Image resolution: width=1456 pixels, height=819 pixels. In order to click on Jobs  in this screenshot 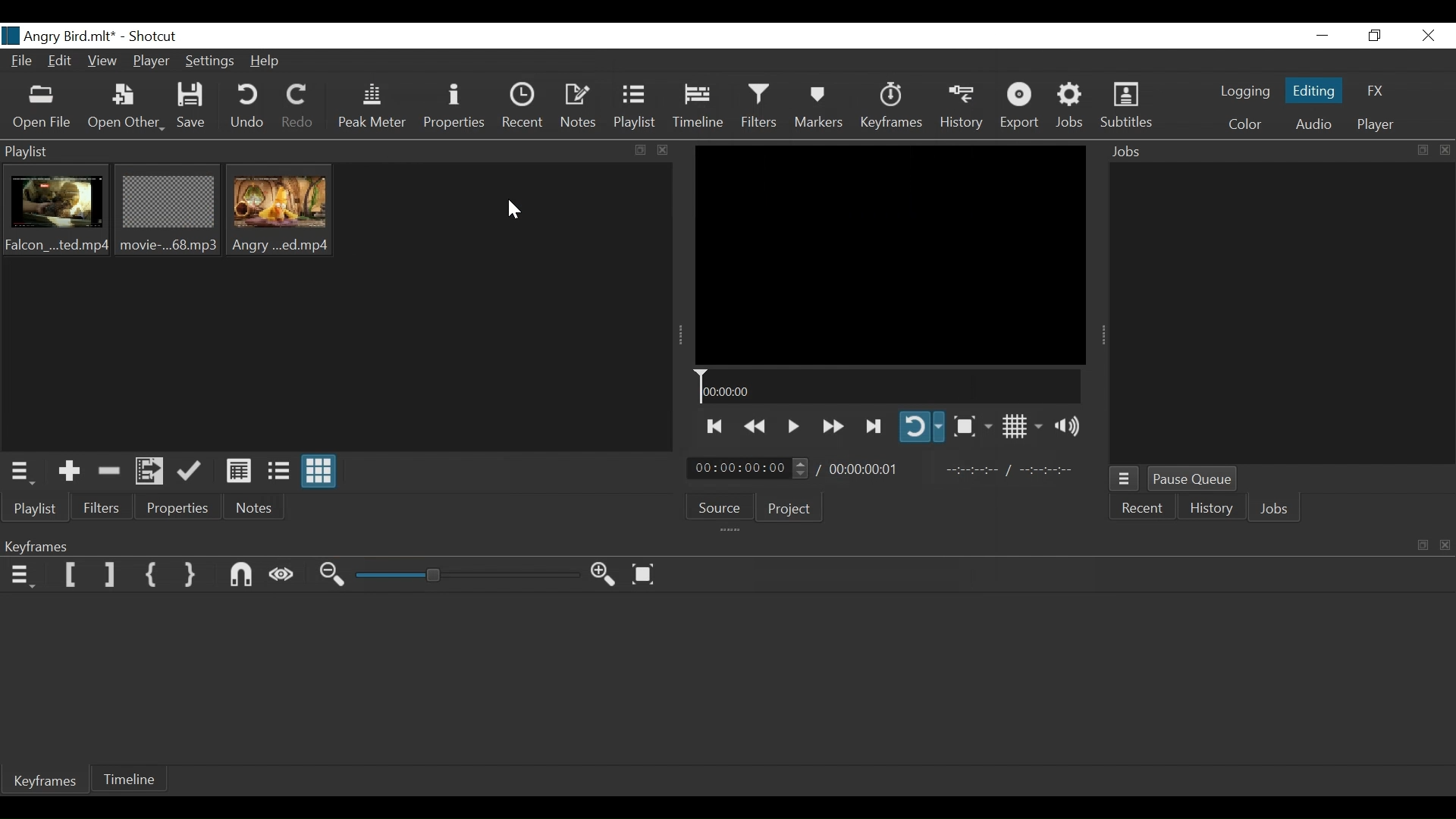, I will do `click(1073, 106)`.